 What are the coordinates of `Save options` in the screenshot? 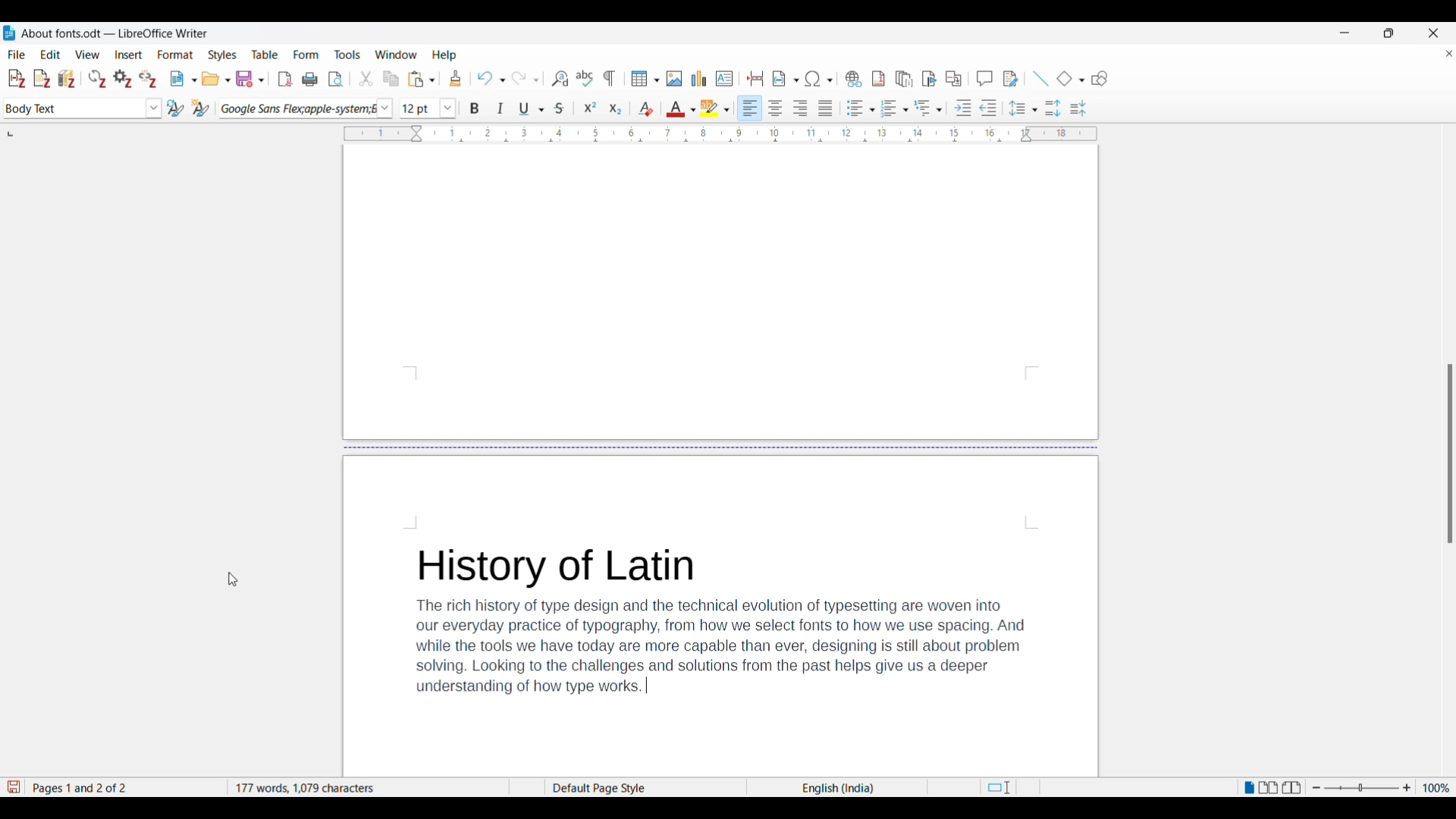 It's located at (250, 79).